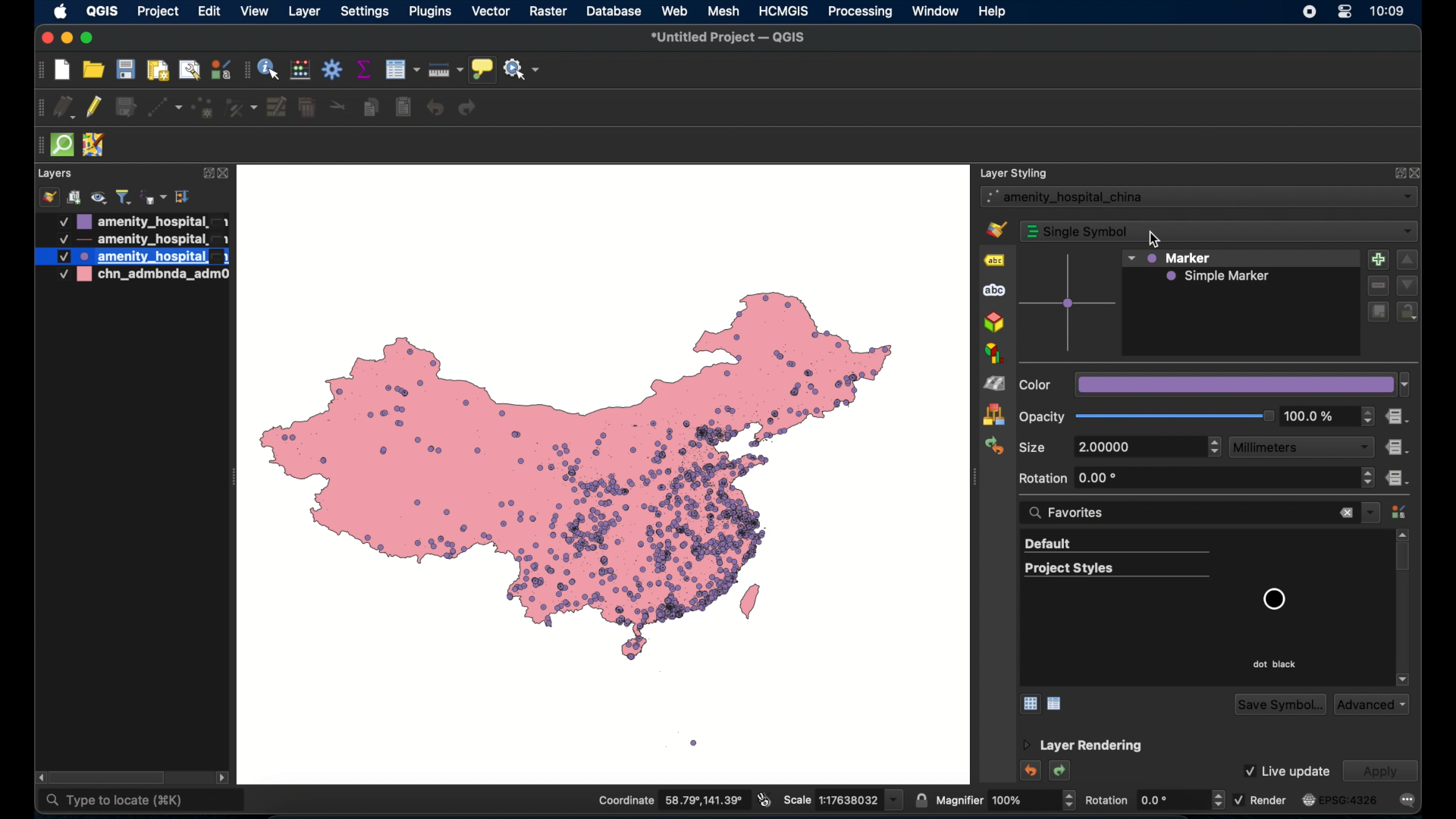  I want to click on dot black, so click(1274, 664).